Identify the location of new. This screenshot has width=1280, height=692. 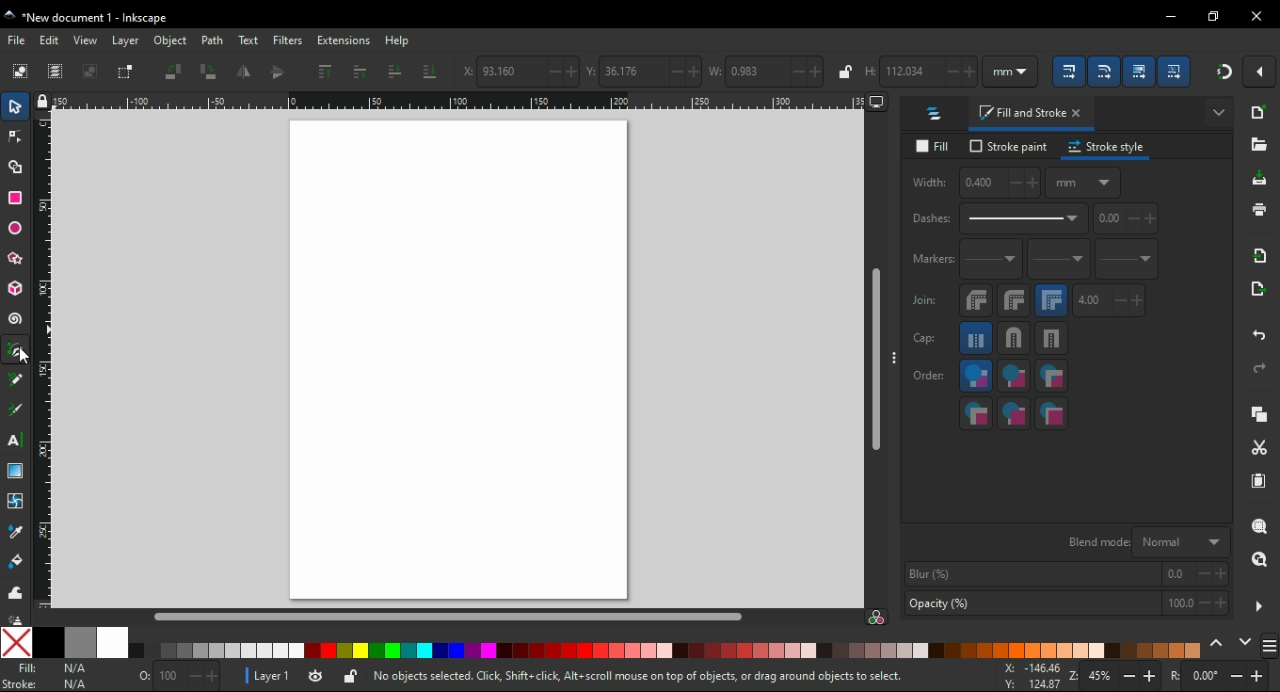
(1261, 112).